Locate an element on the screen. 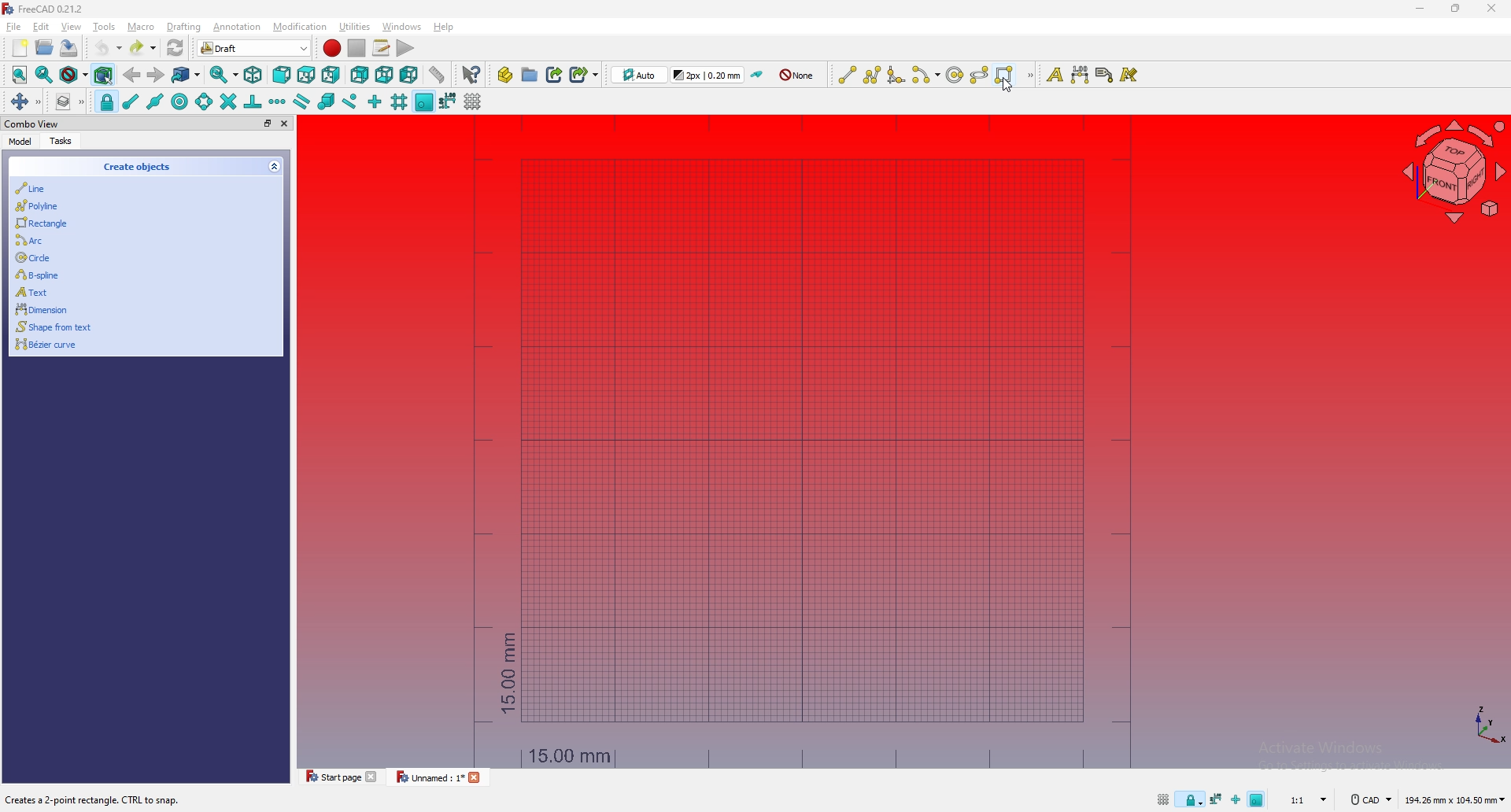  file is located at coordinates (14, 27).